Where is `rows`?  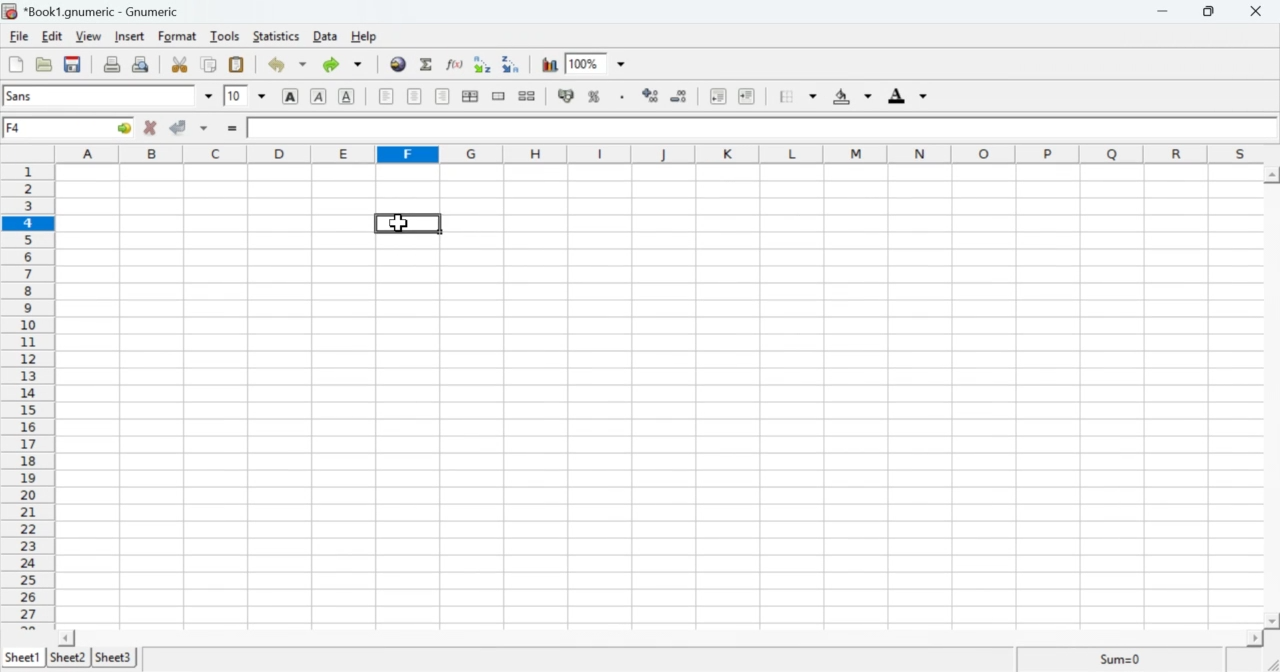
rows is located at coordinates (30, 393).